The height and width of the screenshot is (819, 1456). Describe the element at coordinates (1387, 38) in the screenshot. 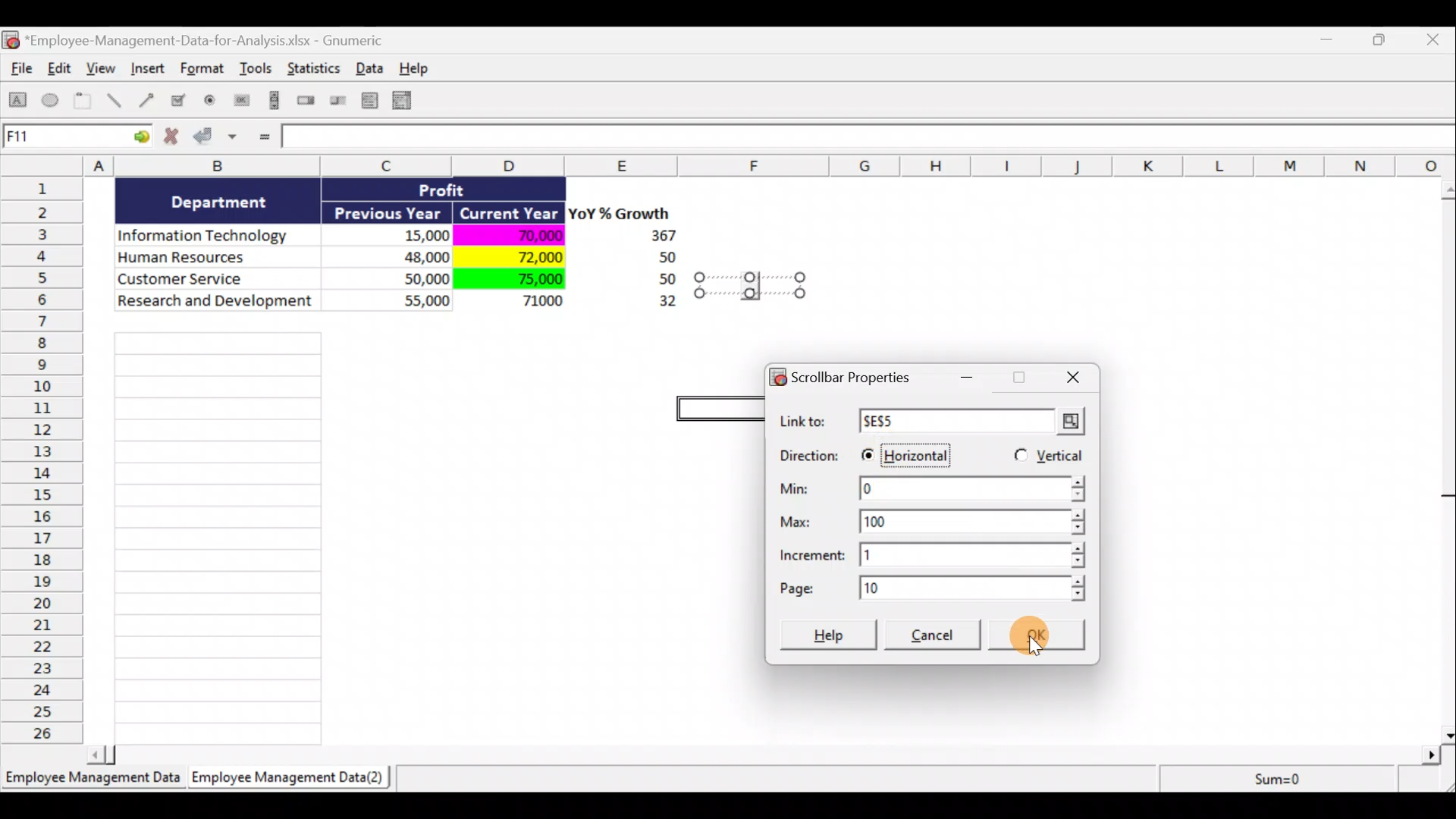

I see `Maximise` at that location.